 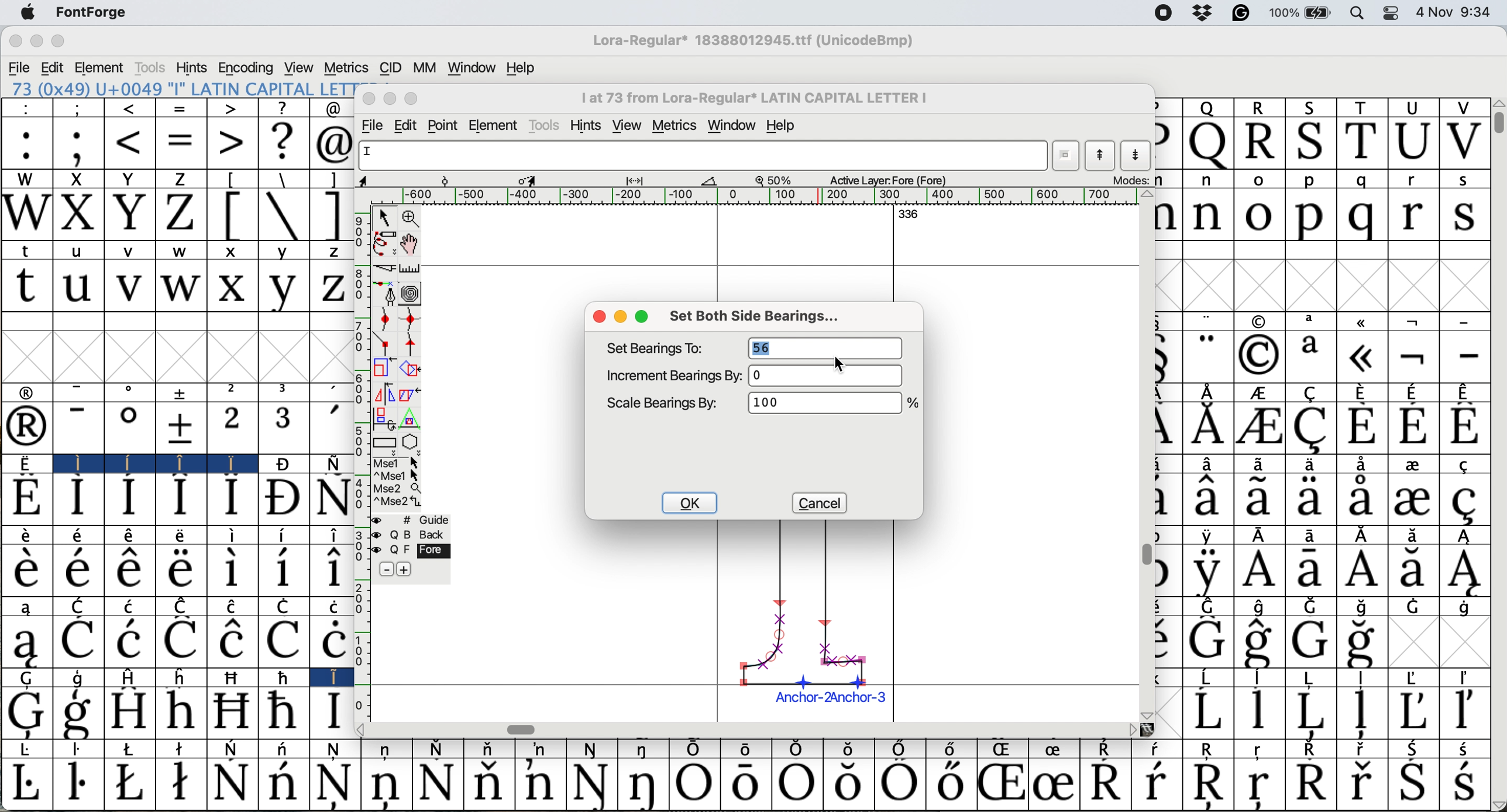 What do you see at coordinates (331, 641) in the screenshot?
I see `Symbol` at bounding box center [331, 641].